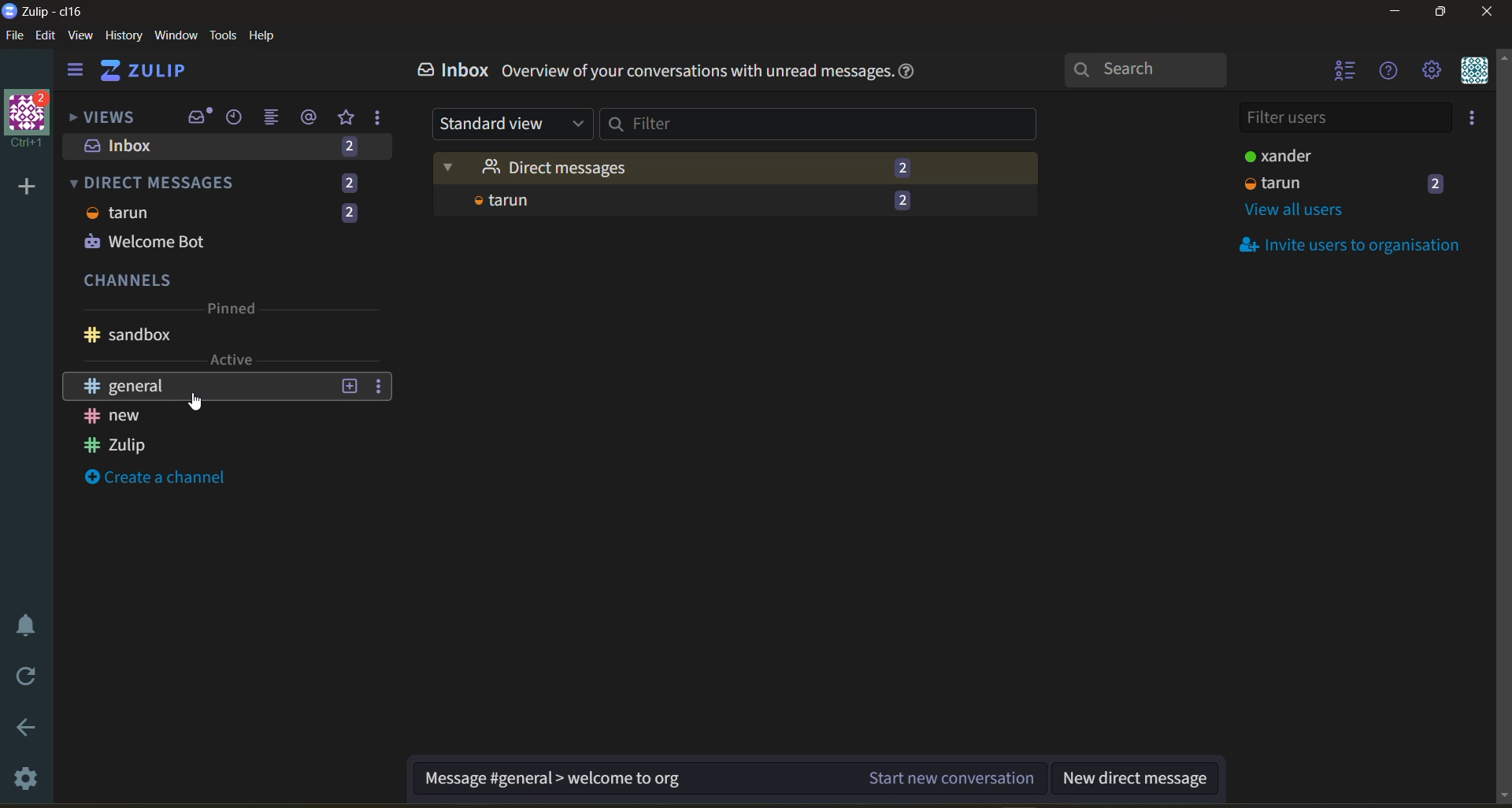 The height and width of the screenshot is (808, 1512). I want to click on edit, so click(46, 37).